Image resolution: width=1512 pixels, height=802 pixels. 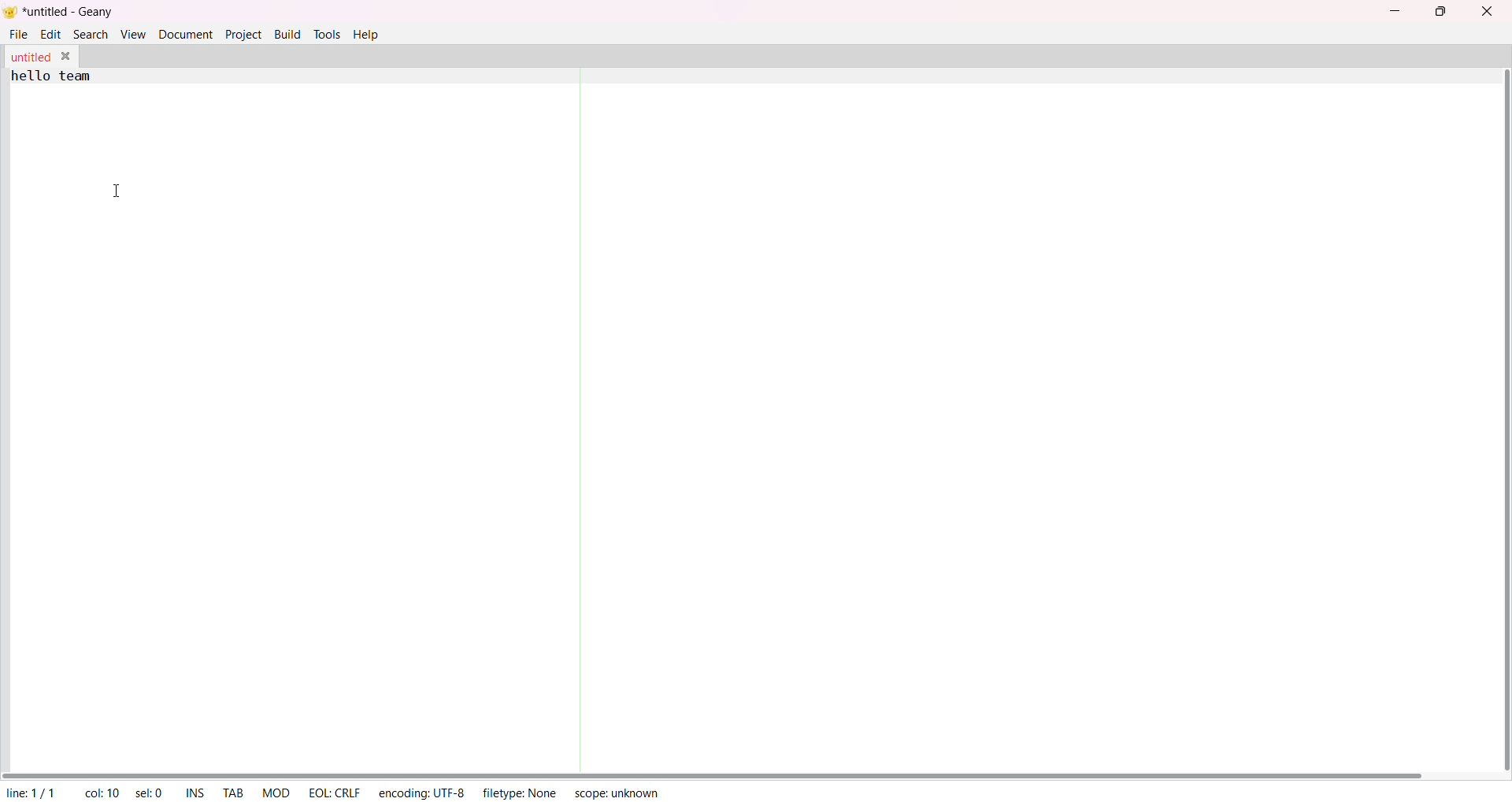 I want to click on maximize, so click(x=1446, y=13).